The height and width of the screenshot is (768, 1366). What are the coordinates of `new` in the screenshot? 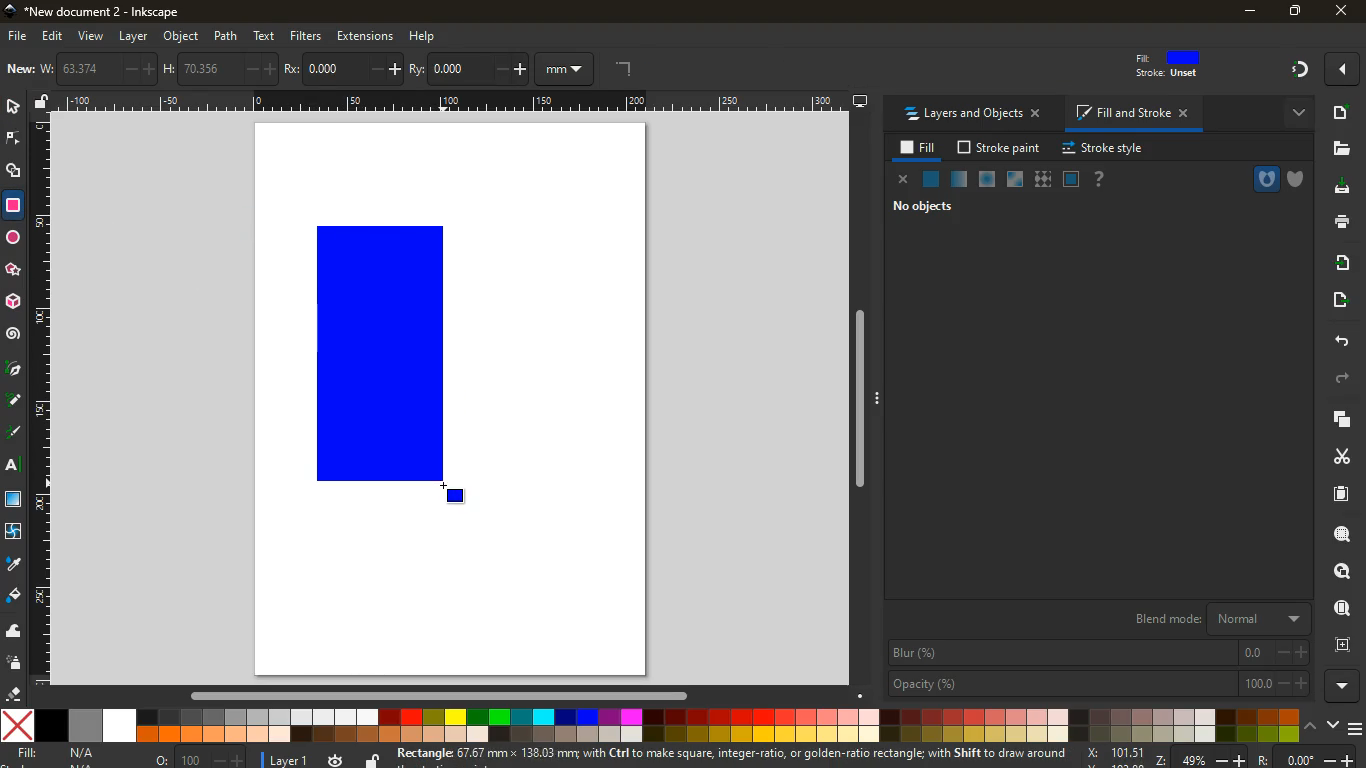 It's located at (20, 69).